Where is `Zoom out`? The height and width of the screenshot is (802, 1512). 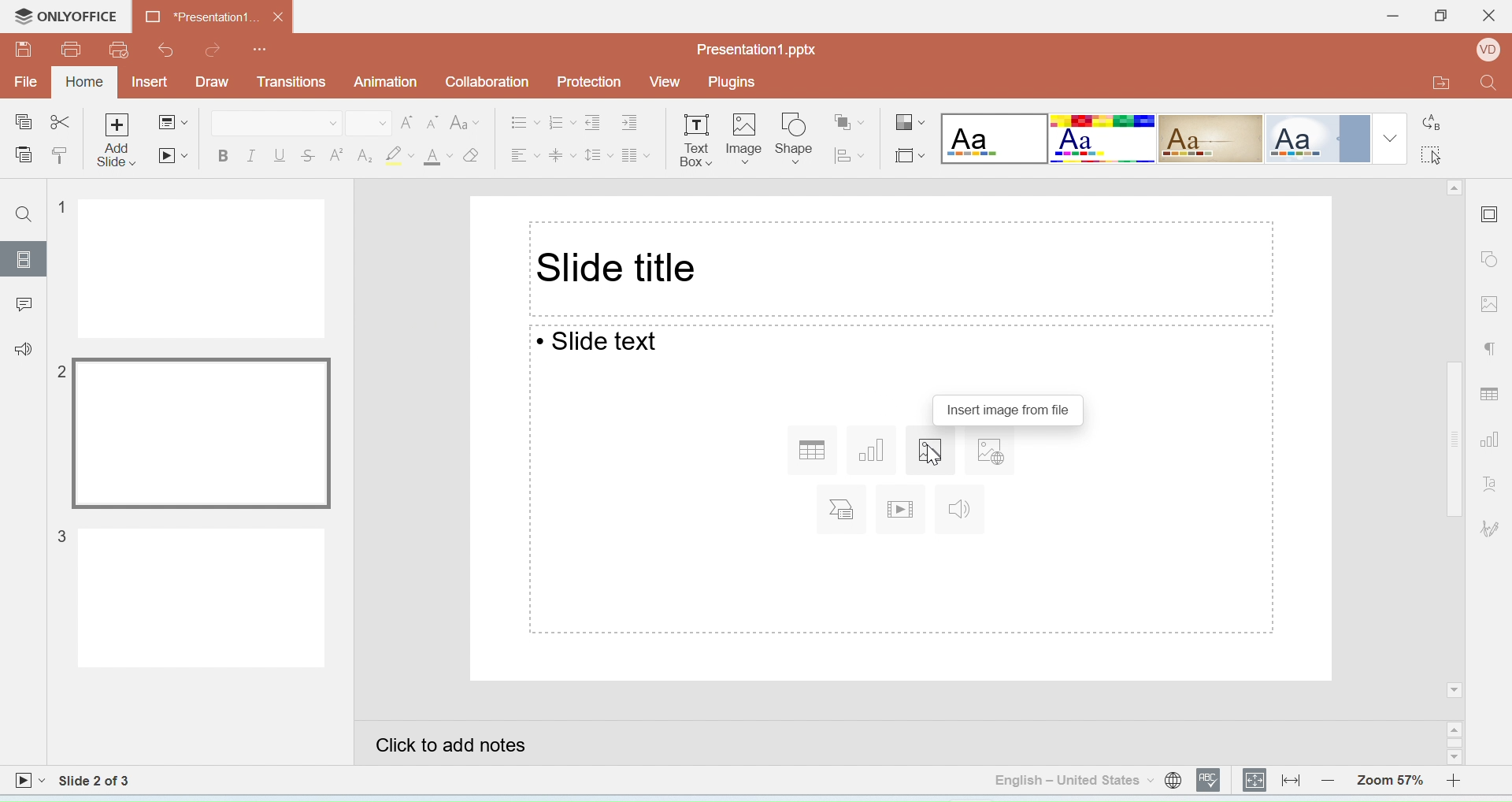 Zoom out is located at coordinates (1332, 779).